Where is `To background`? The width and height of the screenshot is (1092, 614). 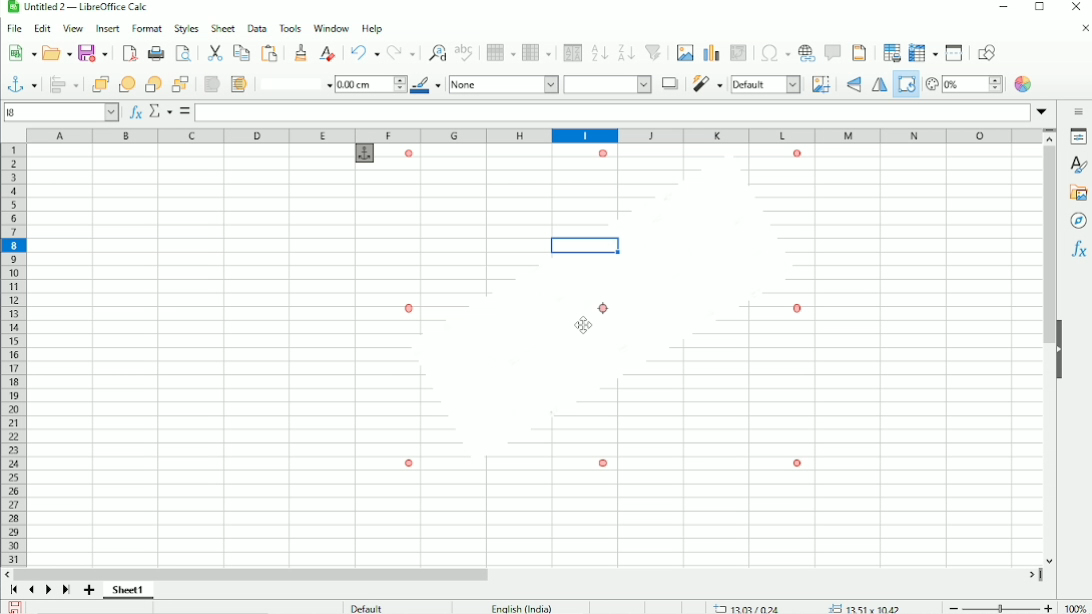 To background is located at coordinates (238, 84).